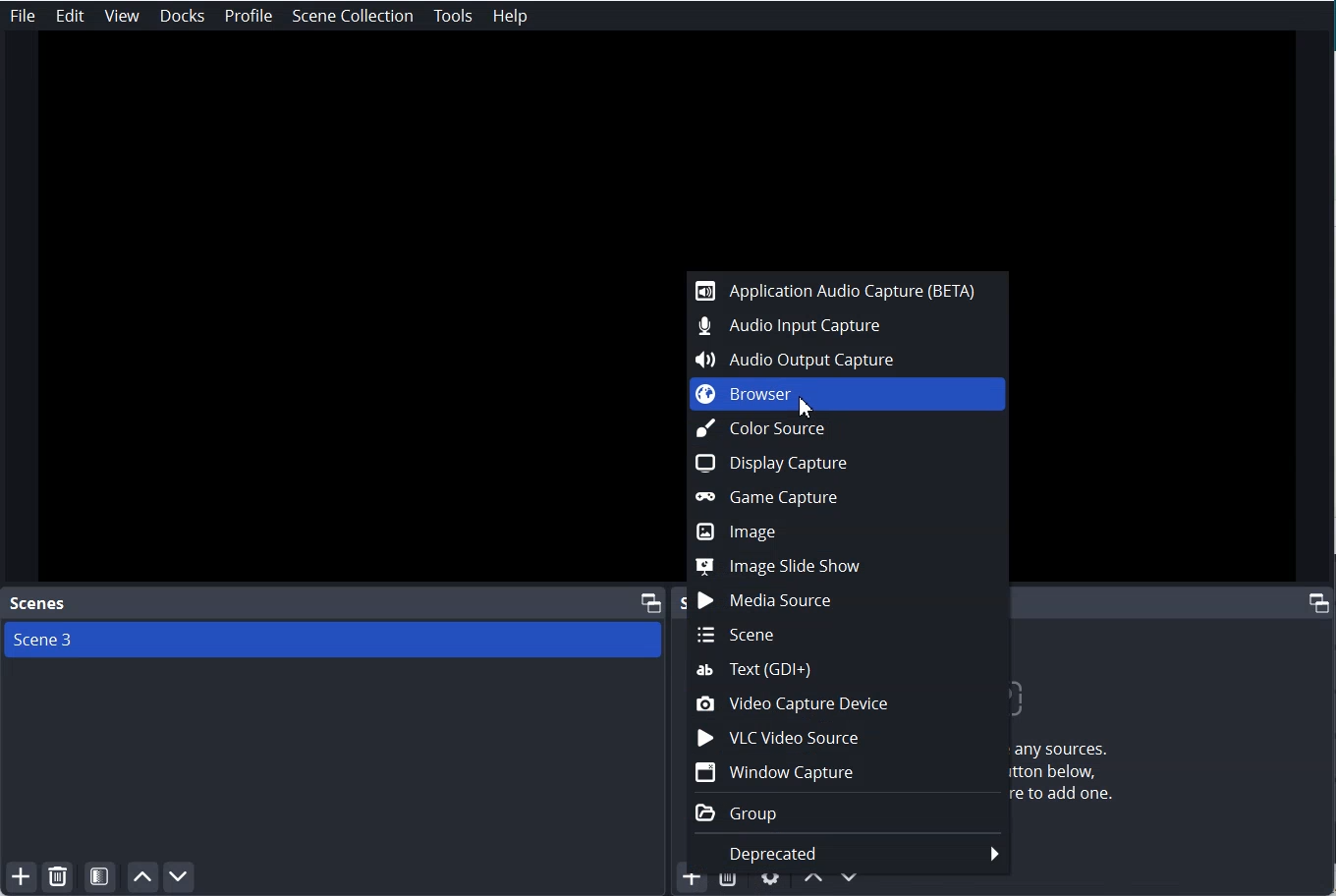 The width and height of the screenshot is (1336, 896). Describe the element at coordinates (58, 877) in the screenshot. I see `Remove selected Scene` at that location.